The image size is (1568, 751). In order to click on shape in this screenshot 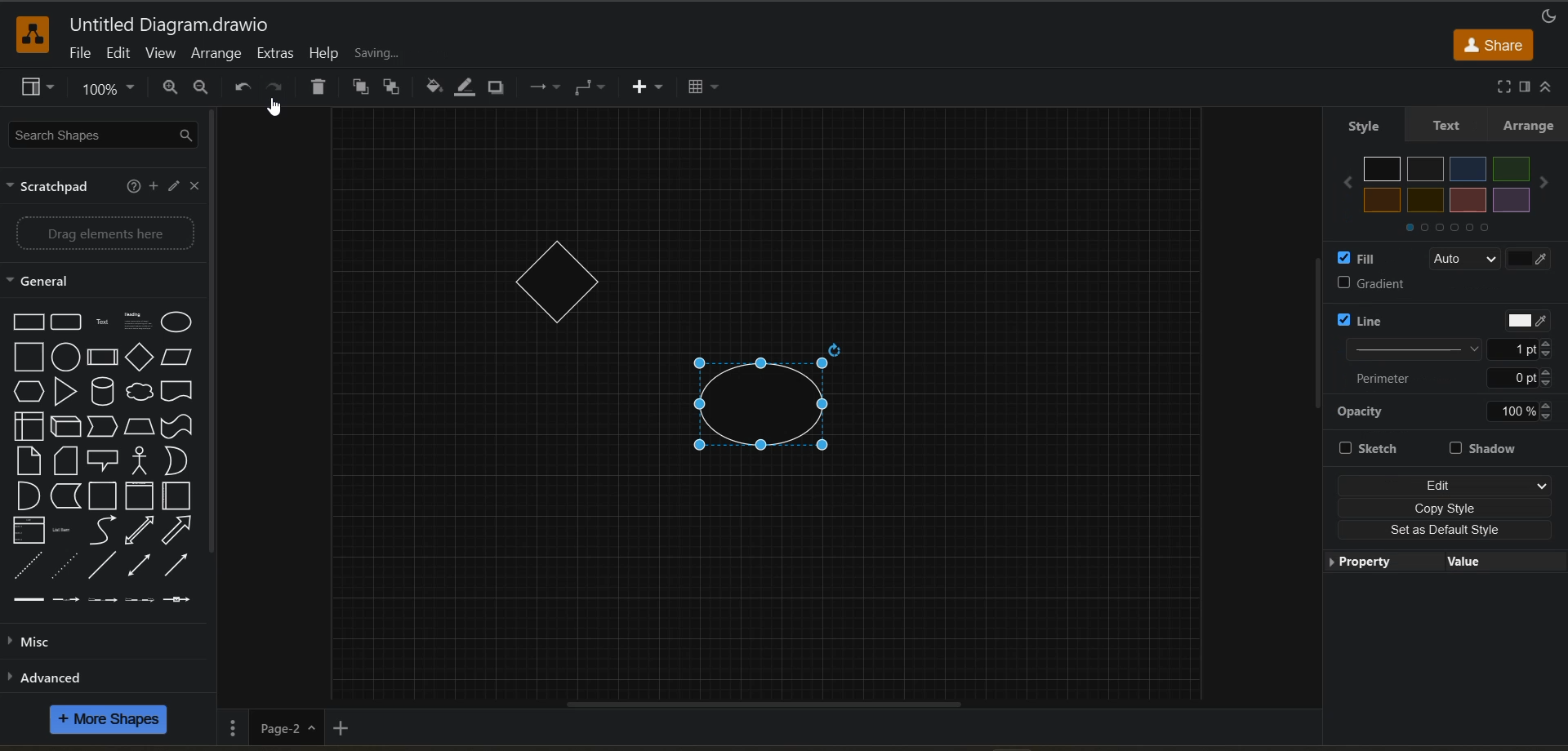, I will do `click(552, 281)`.